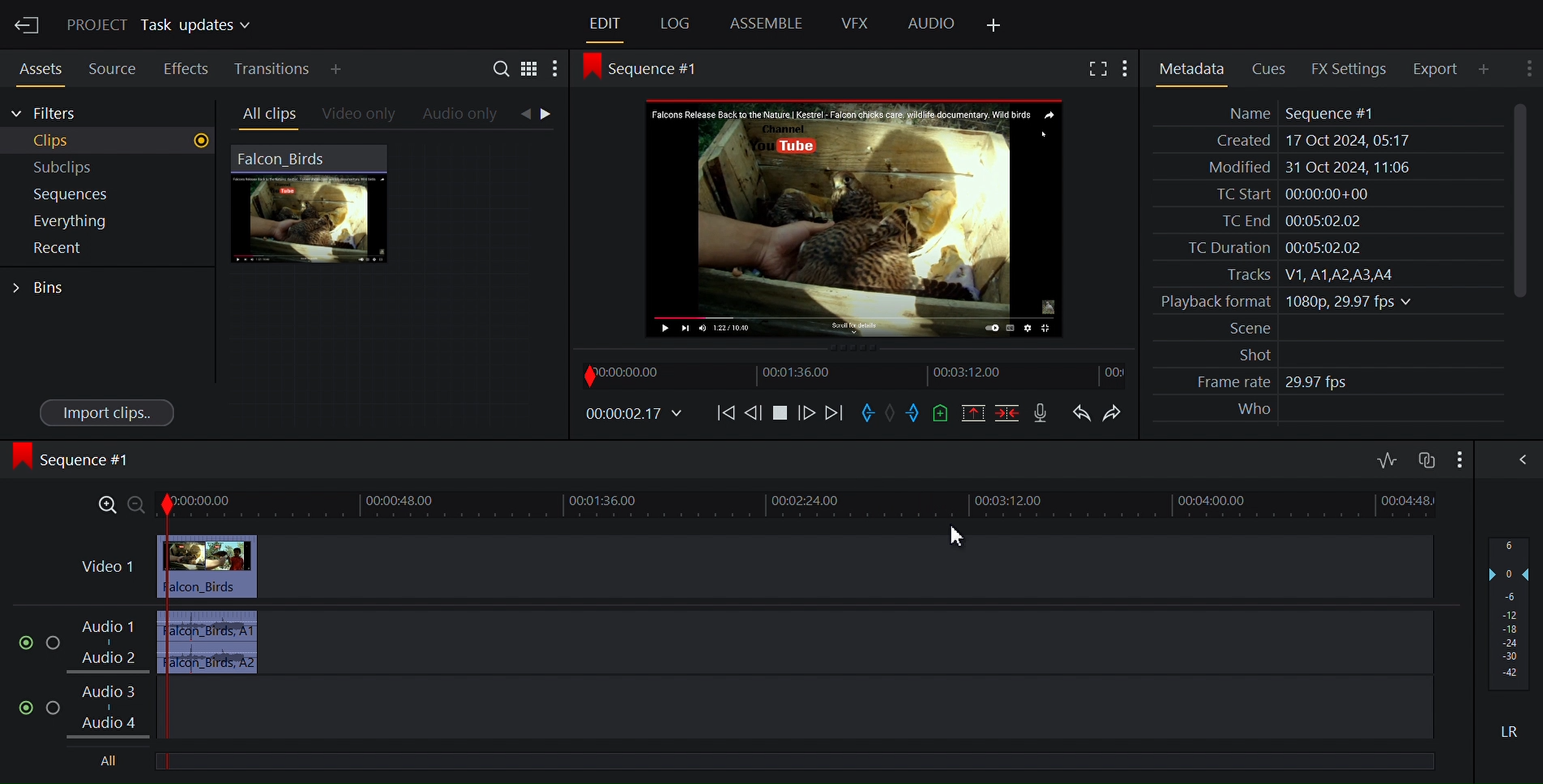 The image size is (1543, 784). What do you see at coordinates (1113, 411) in the screenshot?
I see `Redo` at bounding box center [1113, 411].